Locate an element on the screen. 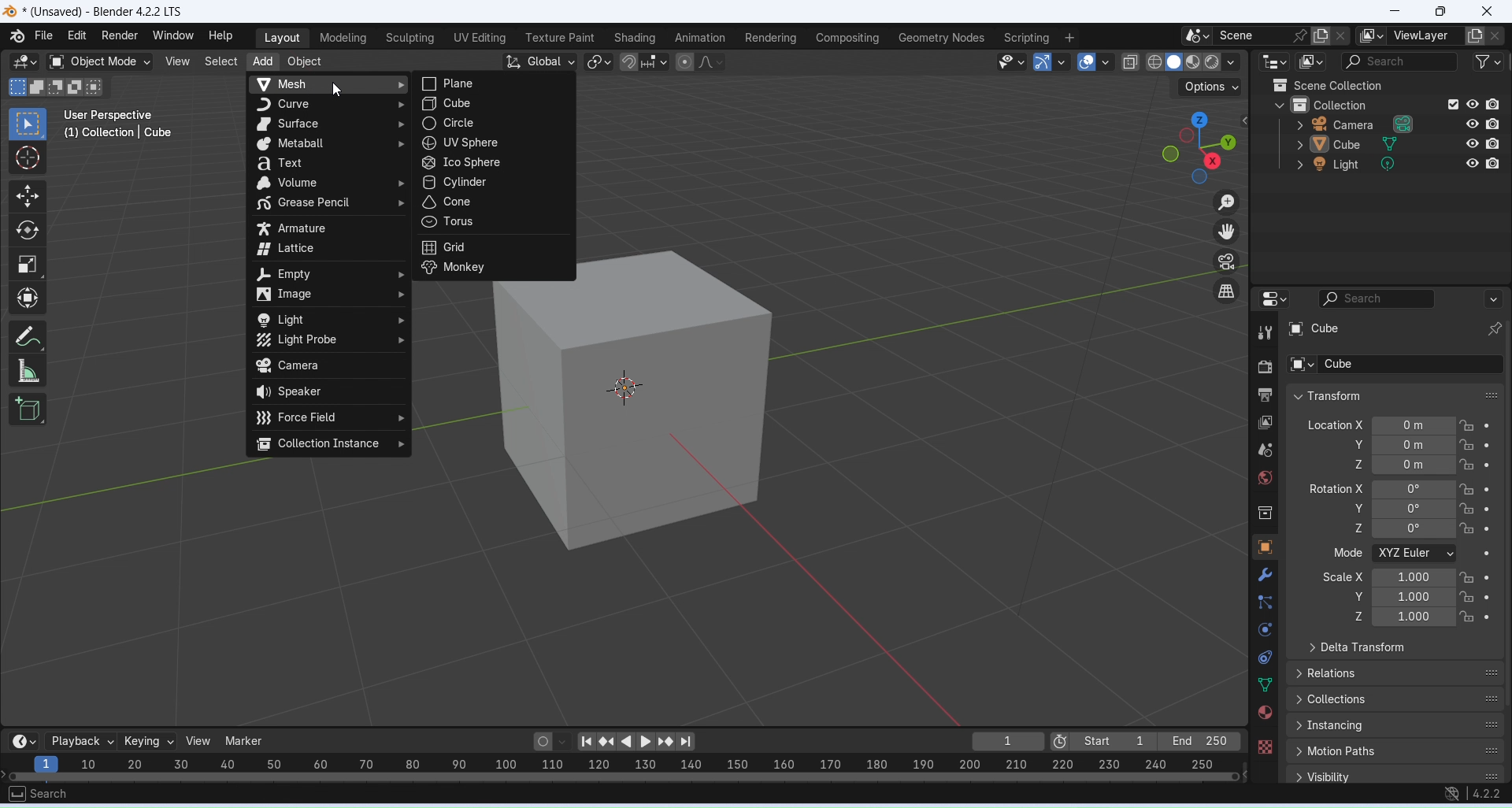 Image resolution: width=1512 pixels, height=808 pixels. cube is located at coordinates (491, 104).